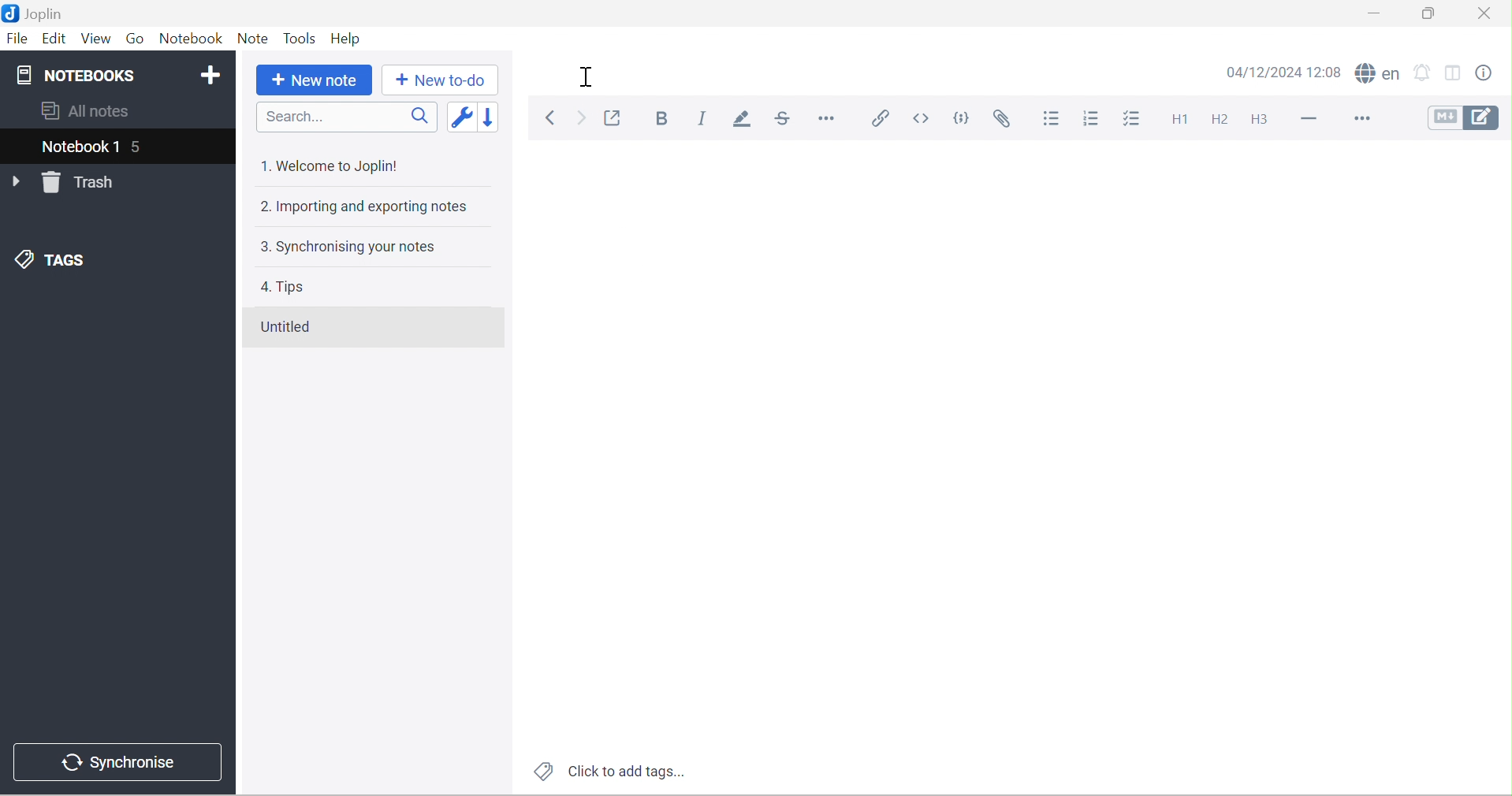 Image resolution: width=1512 pixels, height=796 pixels. Describe the element at coordinates (136, 38) in the screenshot. I see `Go` at that location.